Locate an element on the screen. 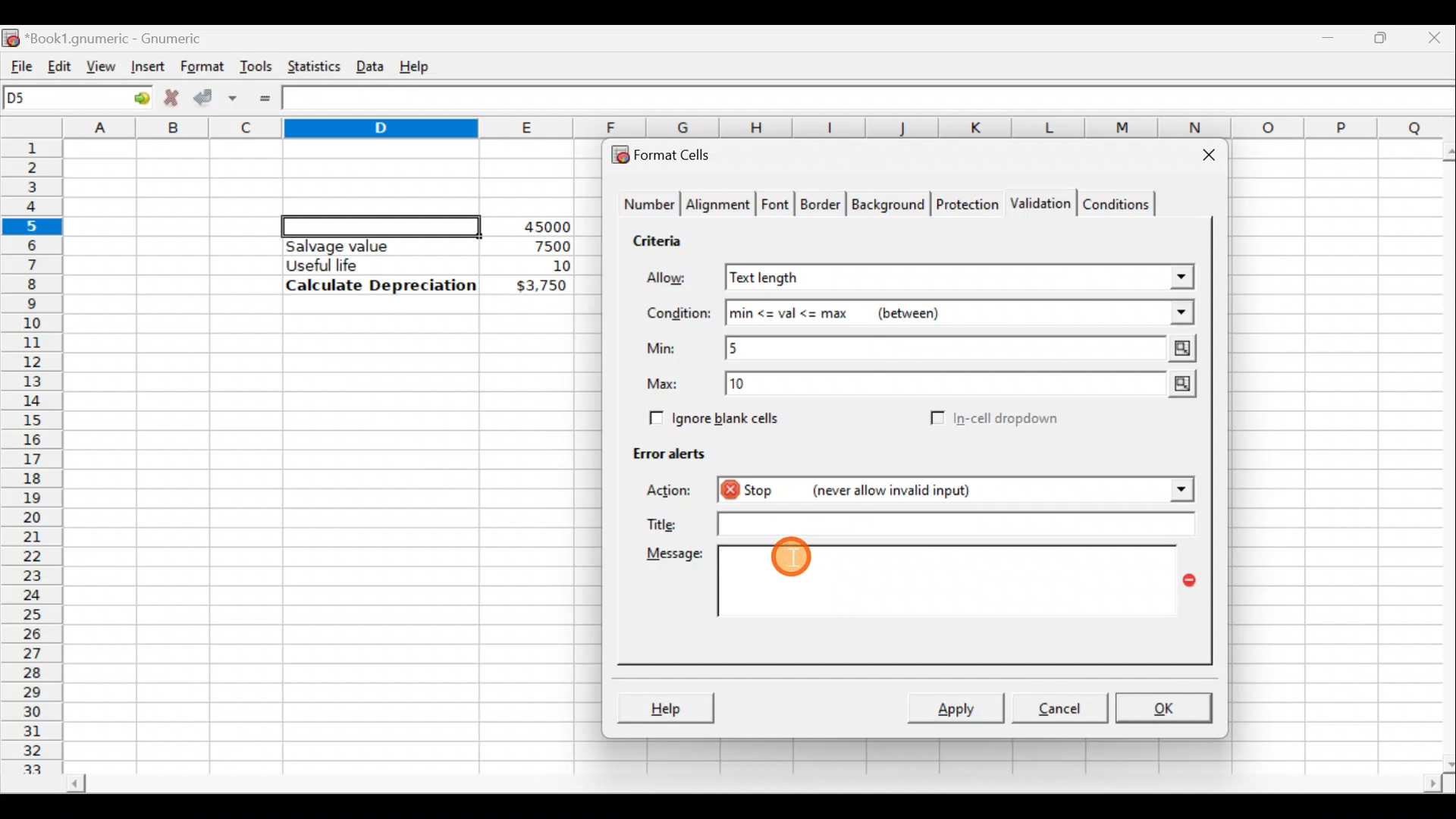 The width and height of the screenshot is (1456, 819). Title is located at coordinates (659, 521).